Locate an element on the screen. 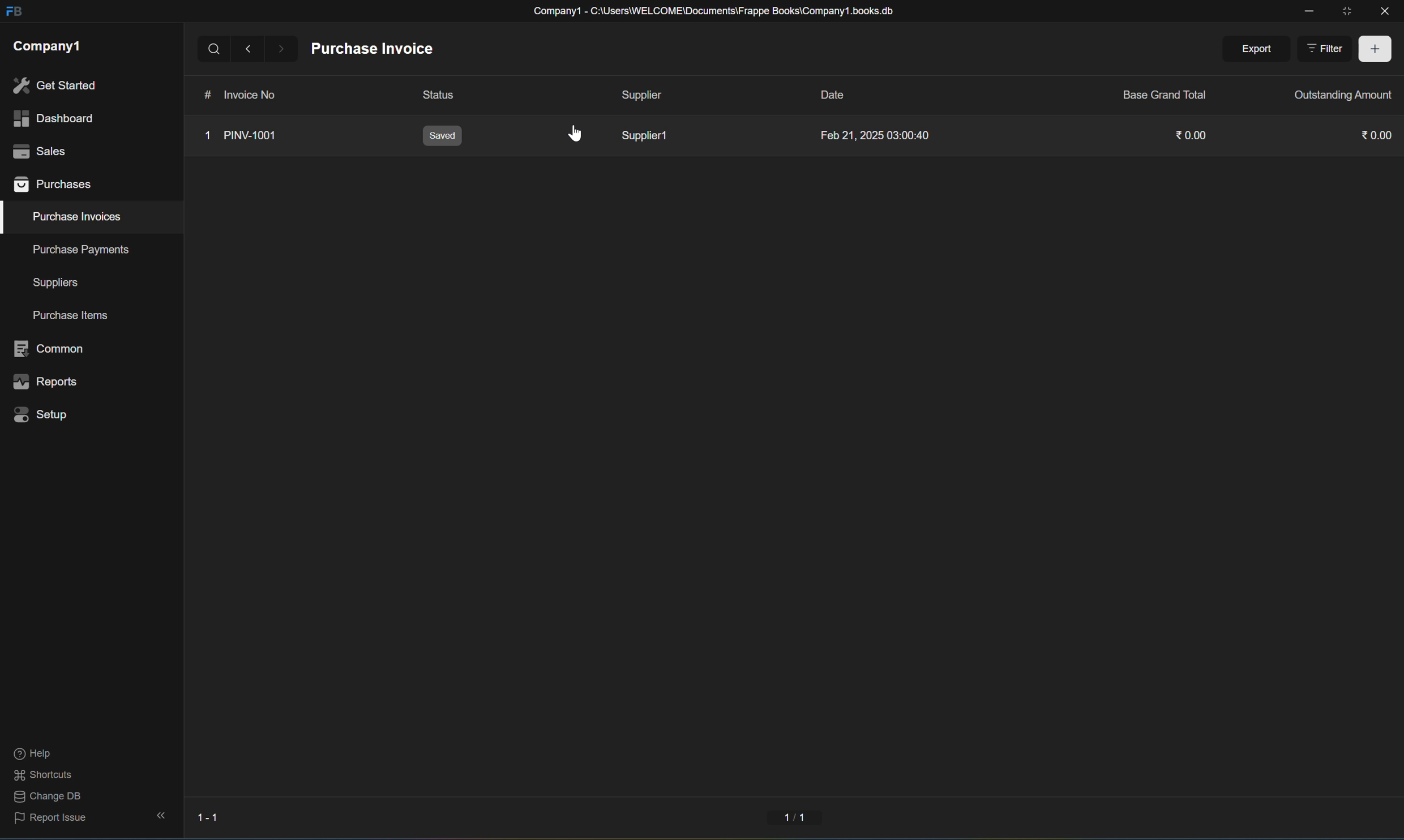 This screenshot has height=840, width=1404. cursor is located at coordinates (576, 134).